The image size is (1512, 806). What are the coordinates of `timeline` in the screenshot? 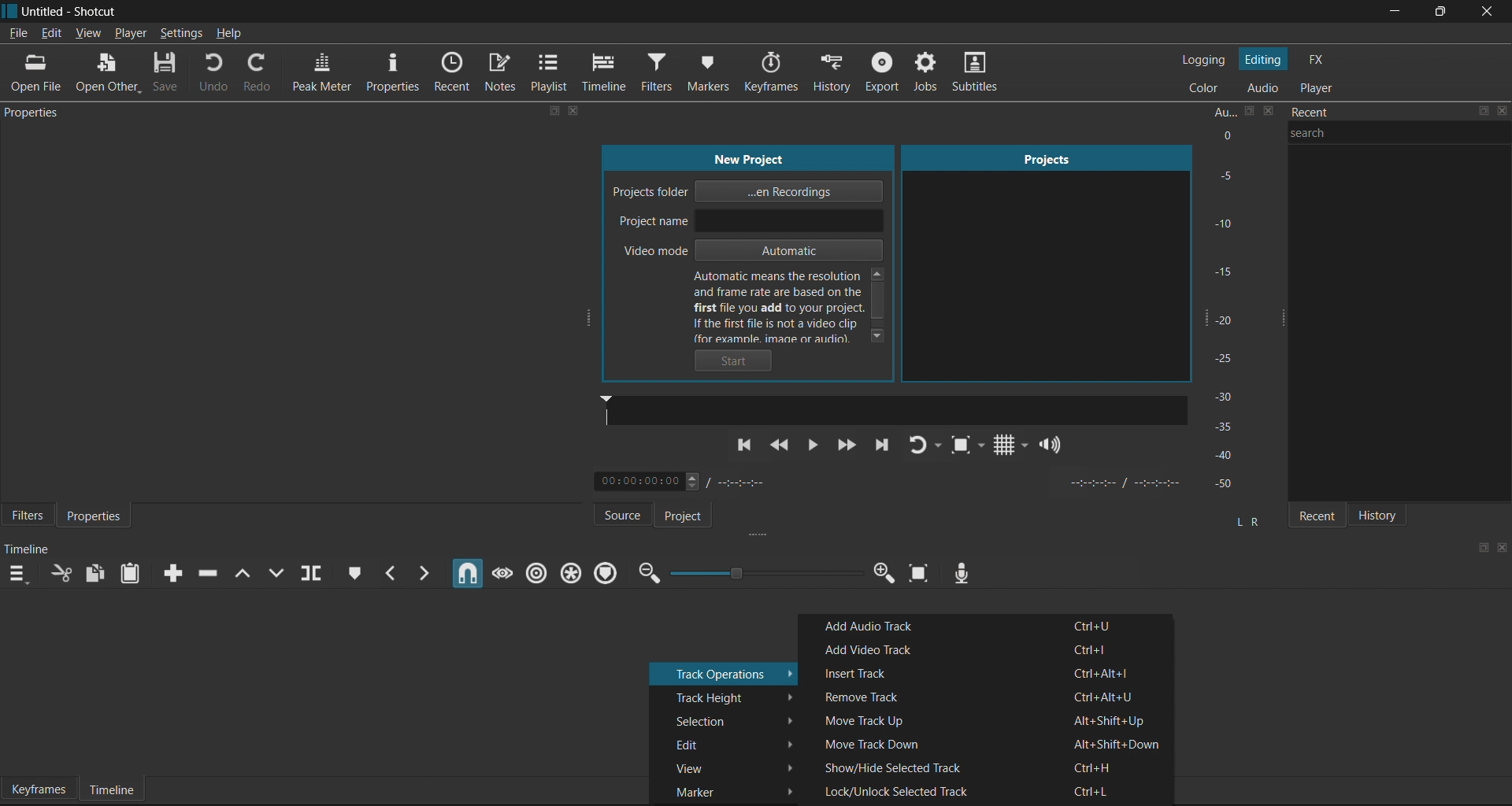 It's located at (34, 547).